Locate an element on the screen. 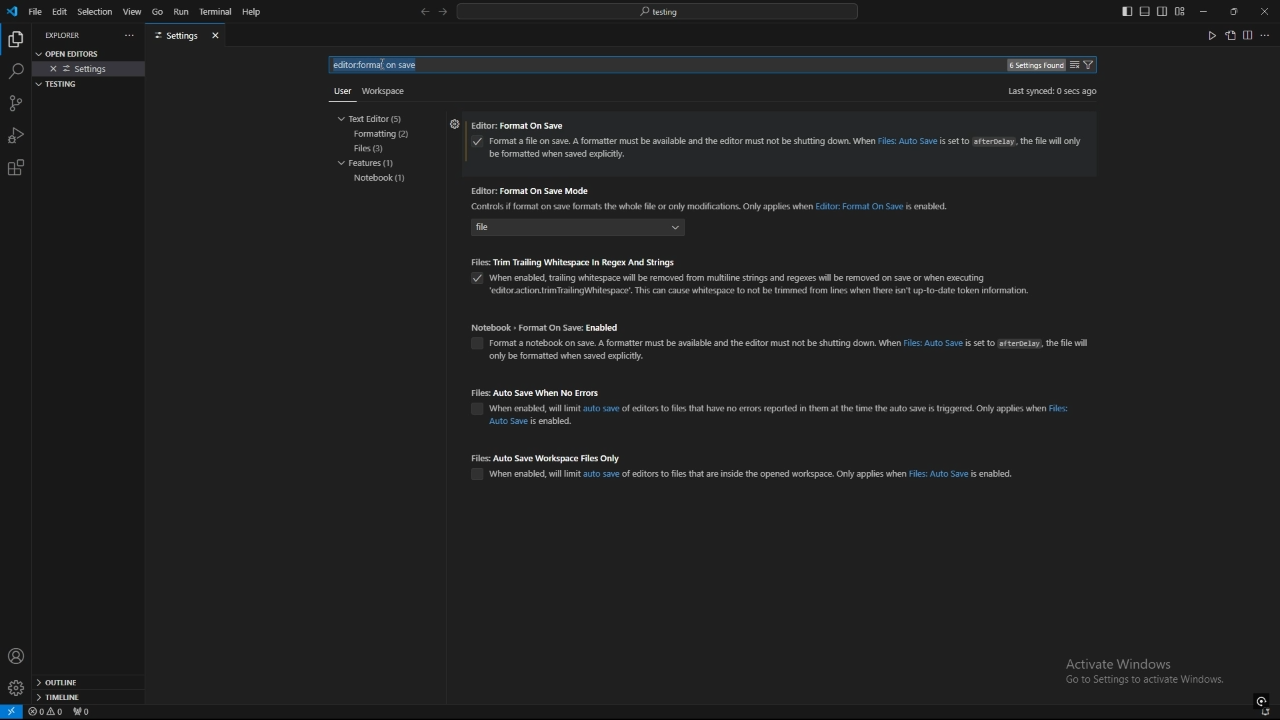 The height and width of the screenshot is (720, 1280). vscode is located at coordinates (11, 12).